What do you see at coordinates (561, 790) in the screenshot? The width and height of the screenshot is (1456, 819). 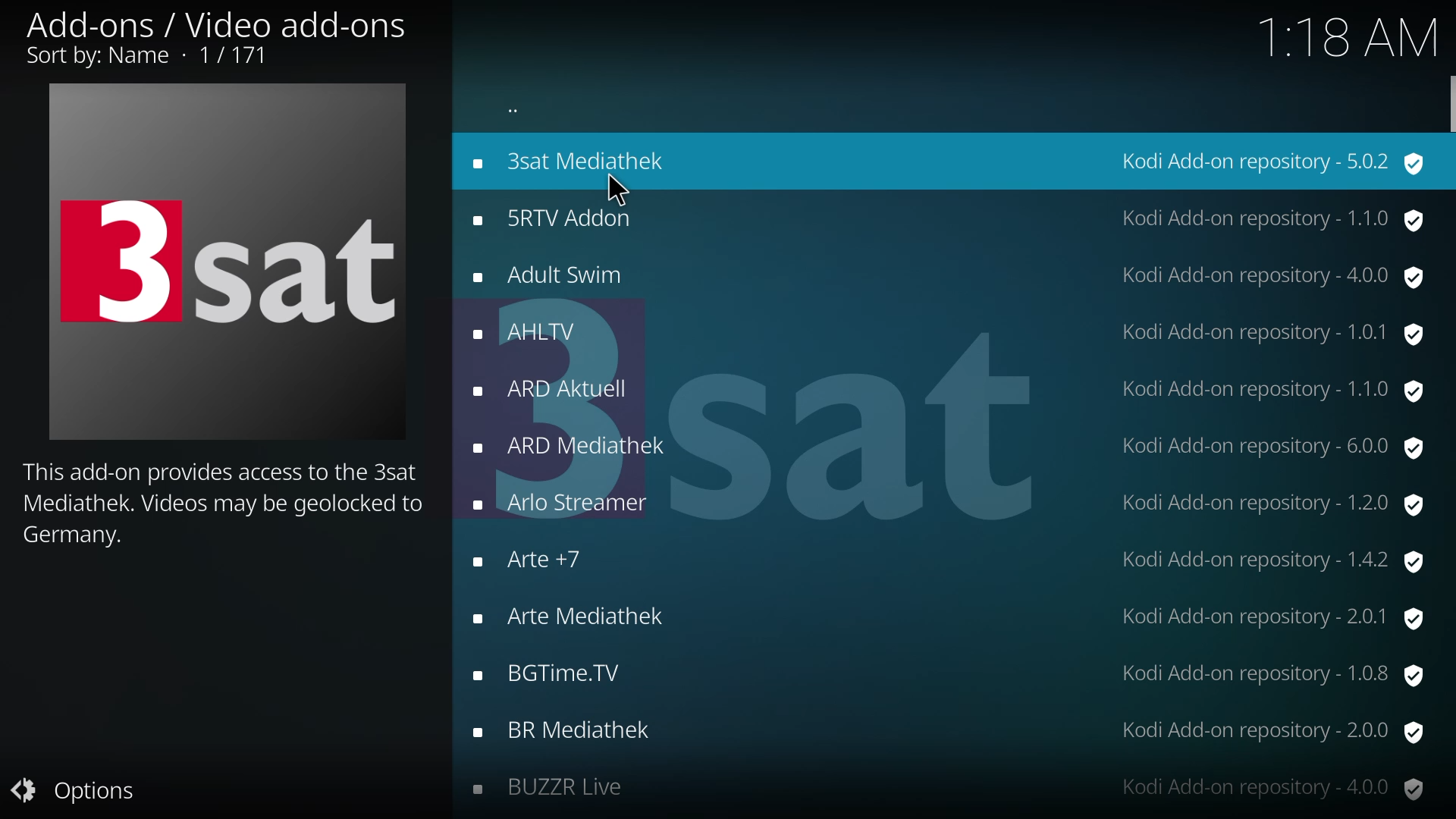 I see `add-ons` at bounding box center [561, 790].